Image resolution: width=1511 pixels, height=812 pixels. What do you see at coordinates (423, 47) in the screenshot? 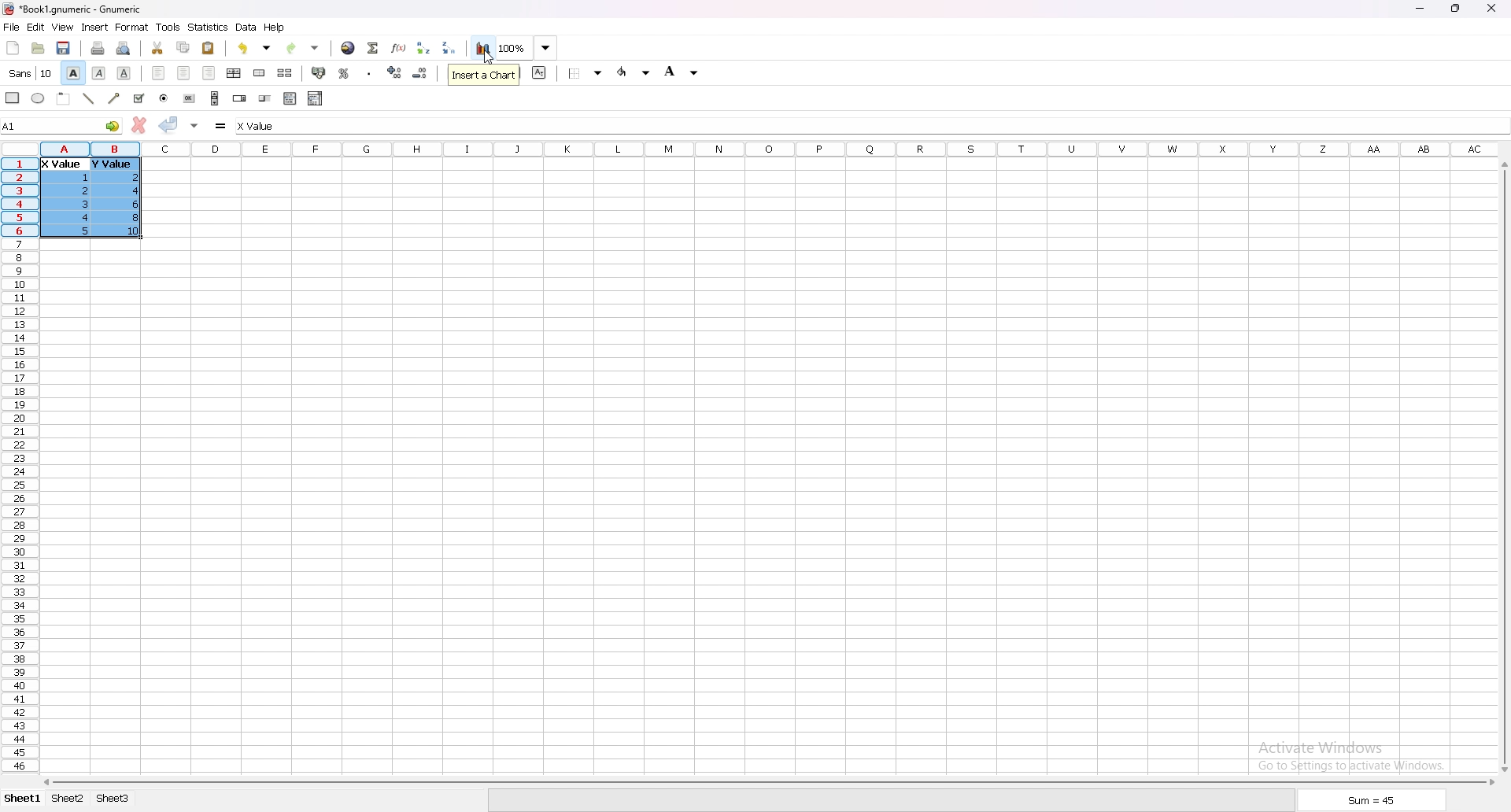
I see `sort ascending` at bounding box center [423, 47].